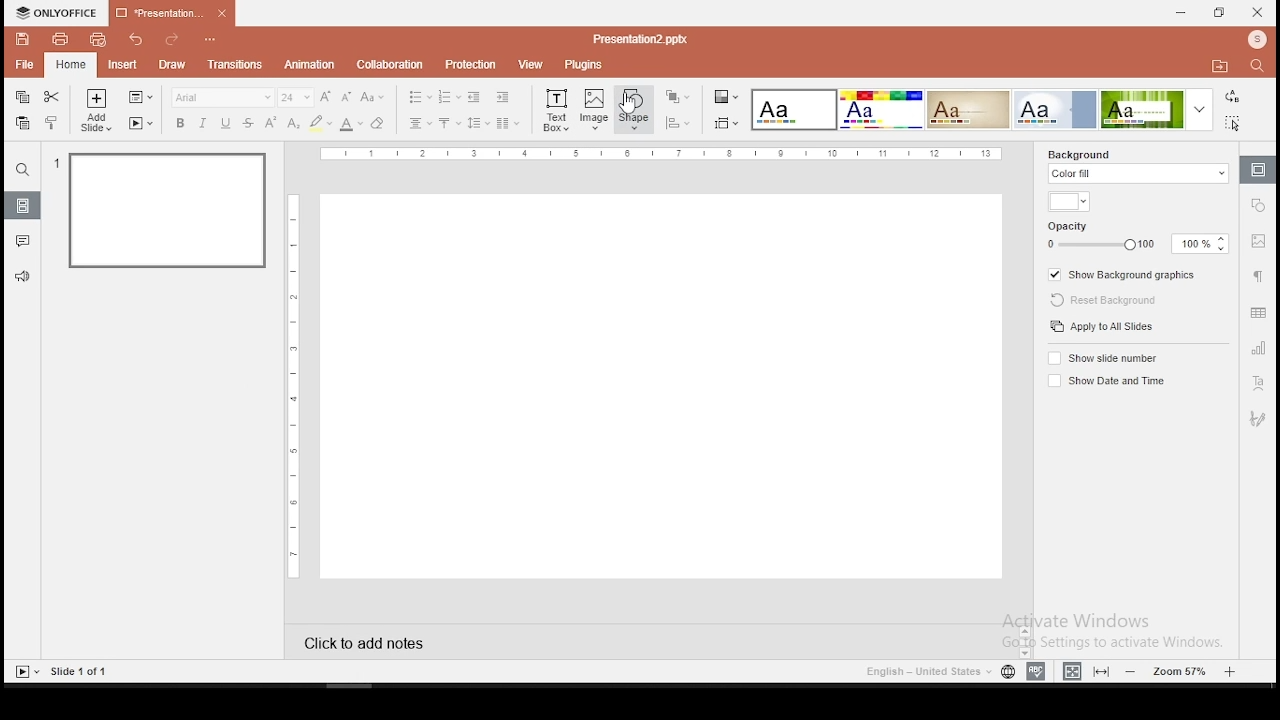  I want to click on show background graphics on/off, so click(1125, 273).